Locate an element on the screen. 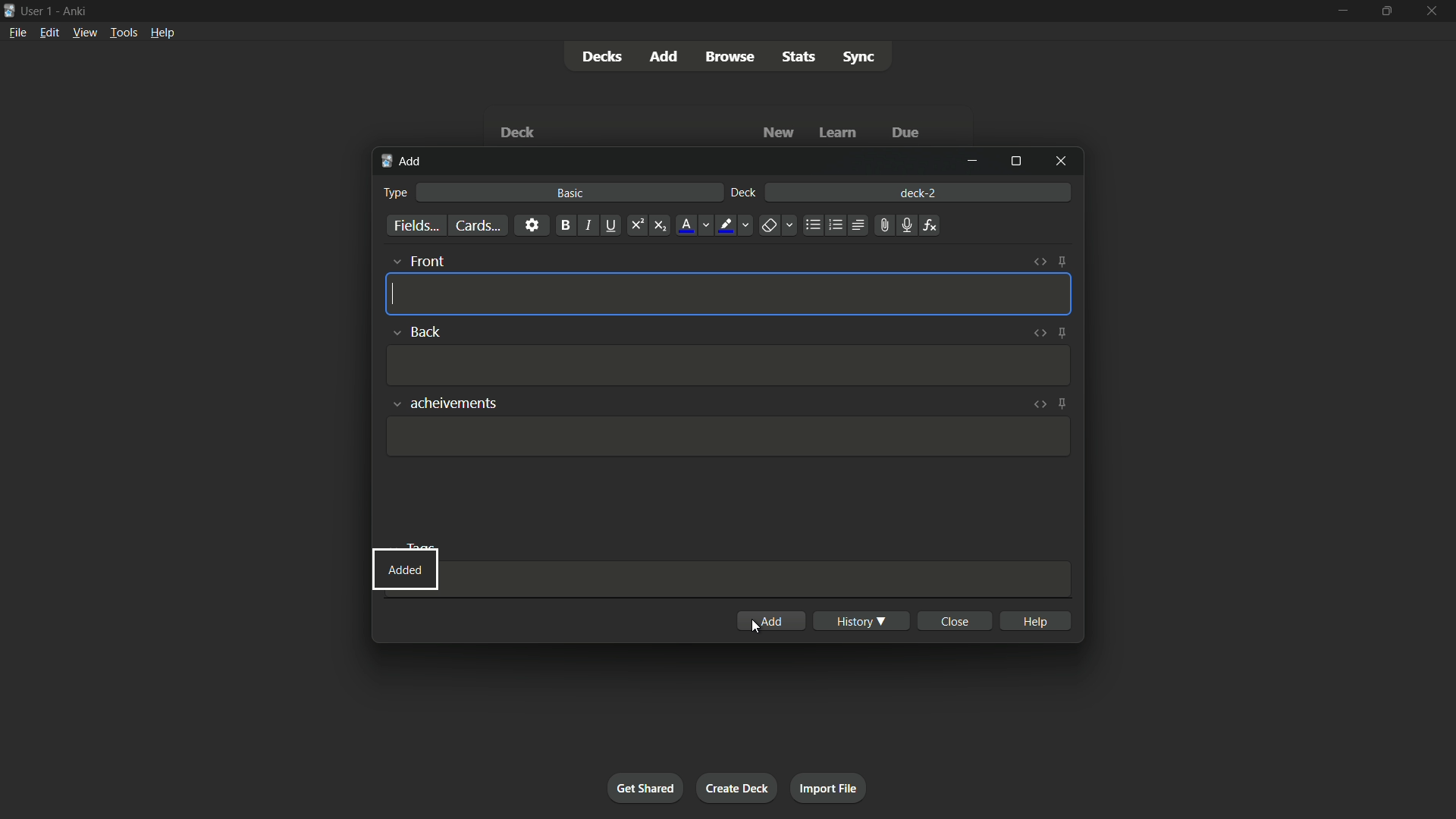  app name is located at coordinates (74, 11).